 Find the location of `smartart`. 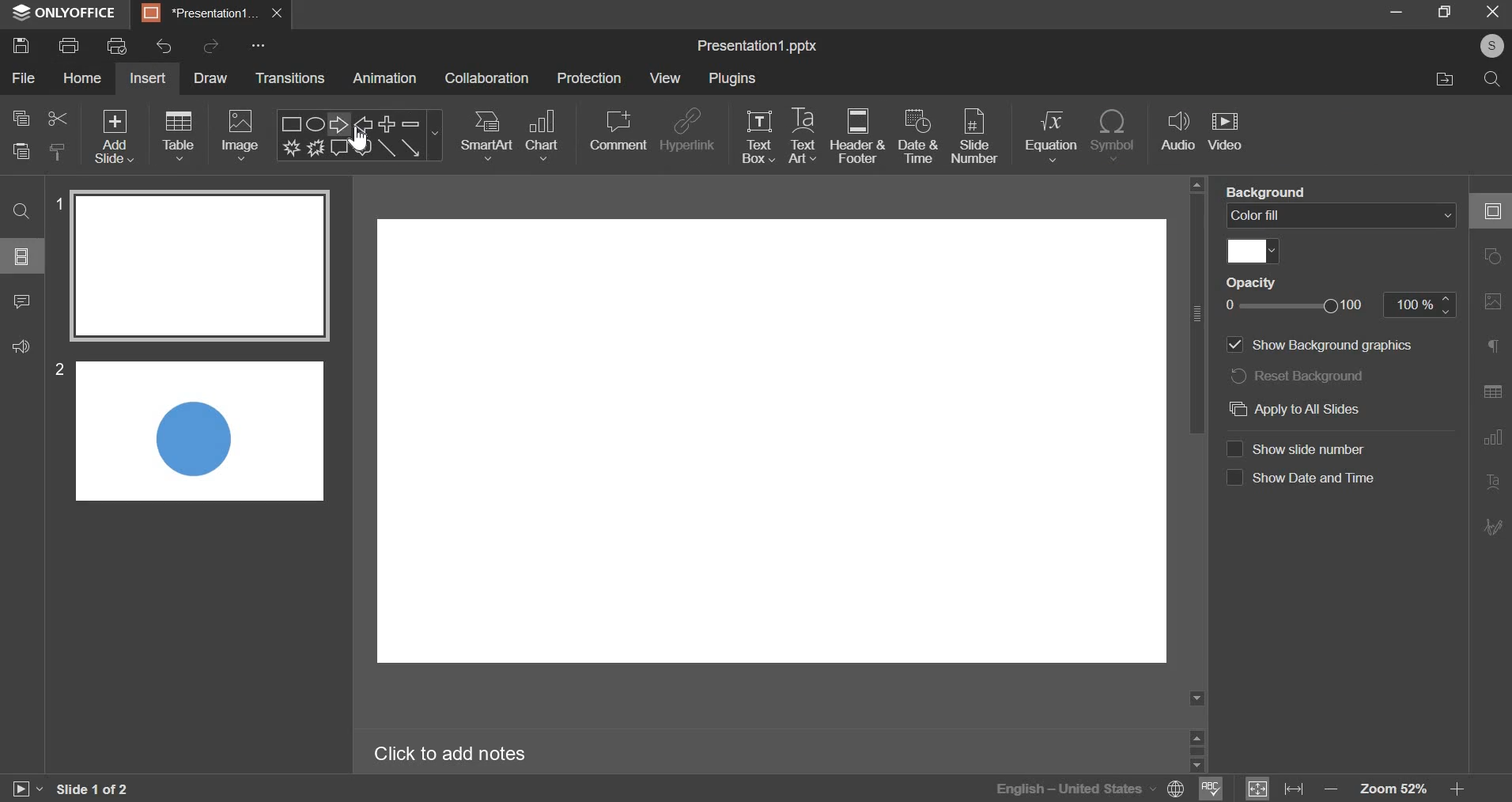

smartart is located at coordinates (488, 136).